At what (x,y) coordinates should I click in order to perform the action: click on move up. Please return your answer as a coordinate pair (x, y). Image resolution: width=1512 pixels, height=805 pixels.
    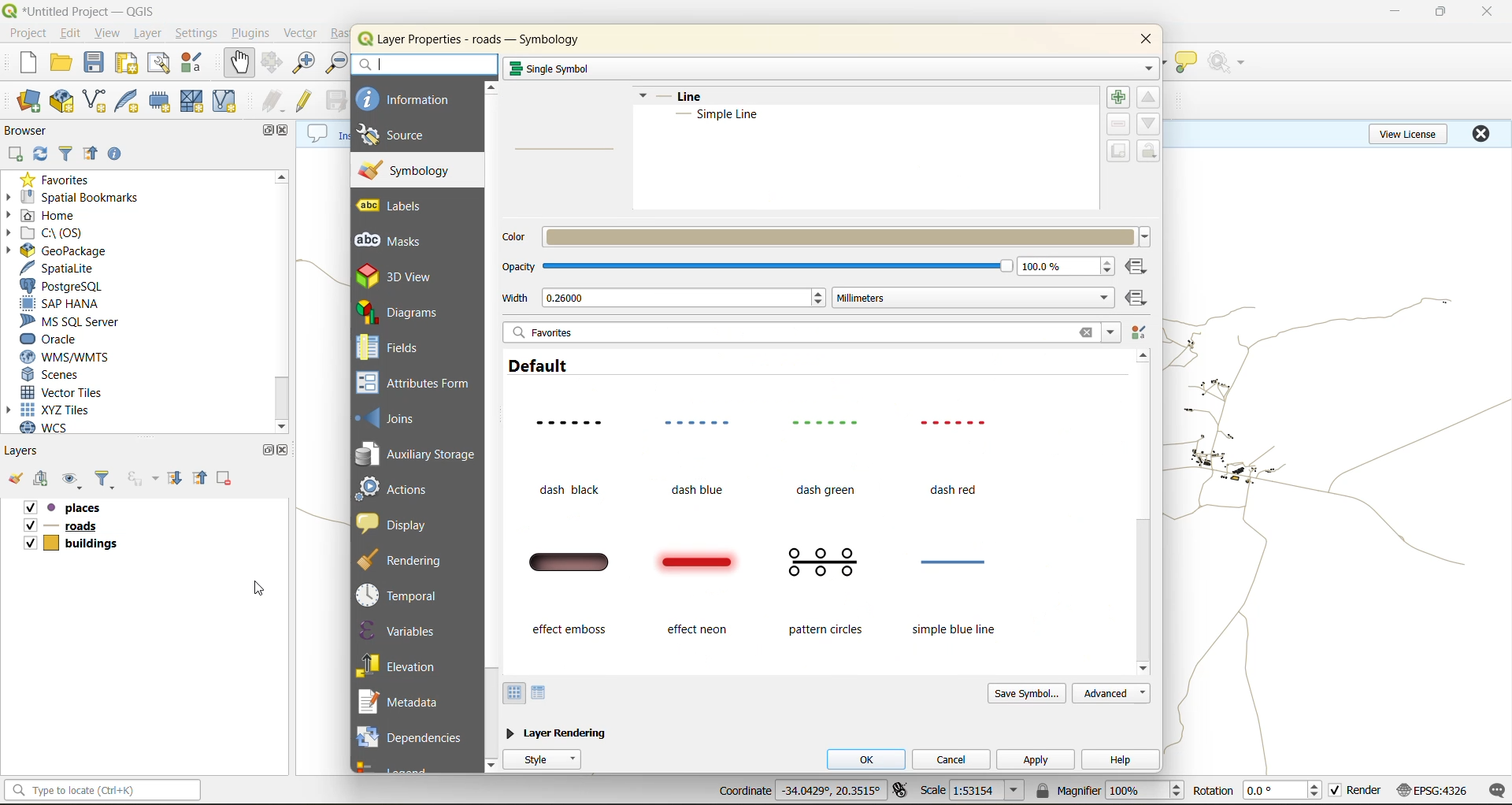
    Looking at the image, I should click on (1151, 97).